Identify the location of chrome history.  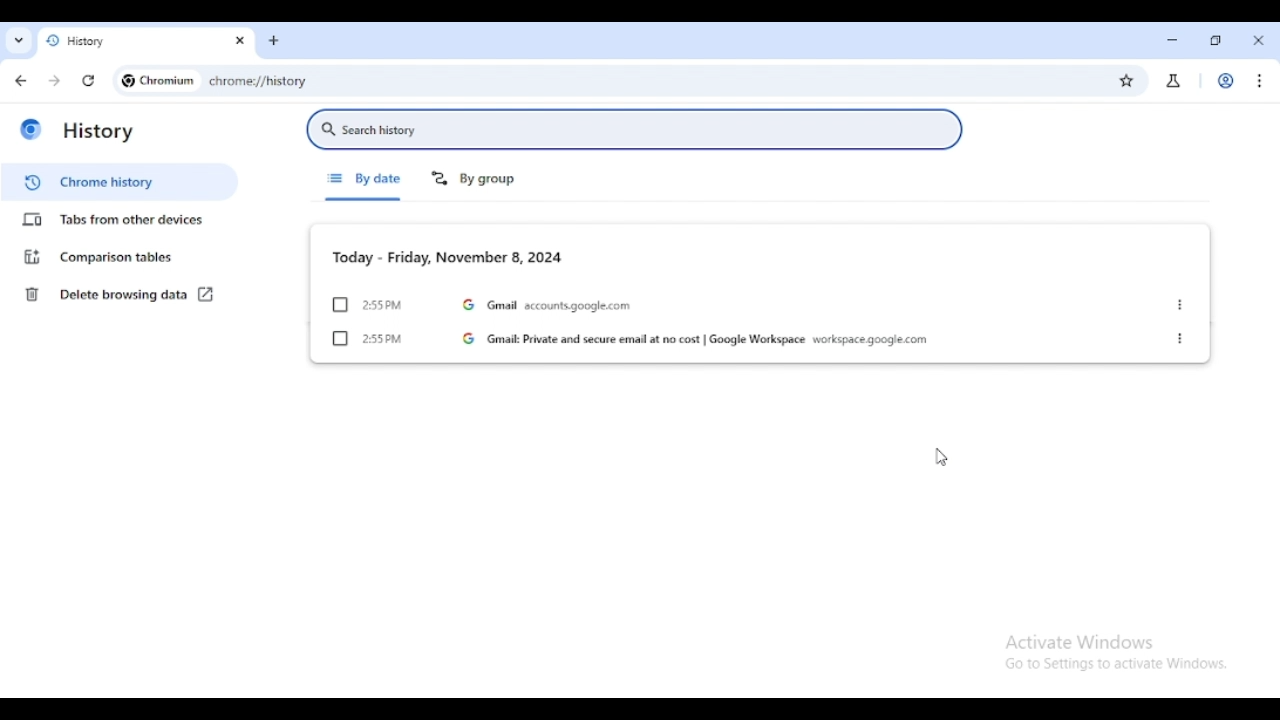
(117, 182).